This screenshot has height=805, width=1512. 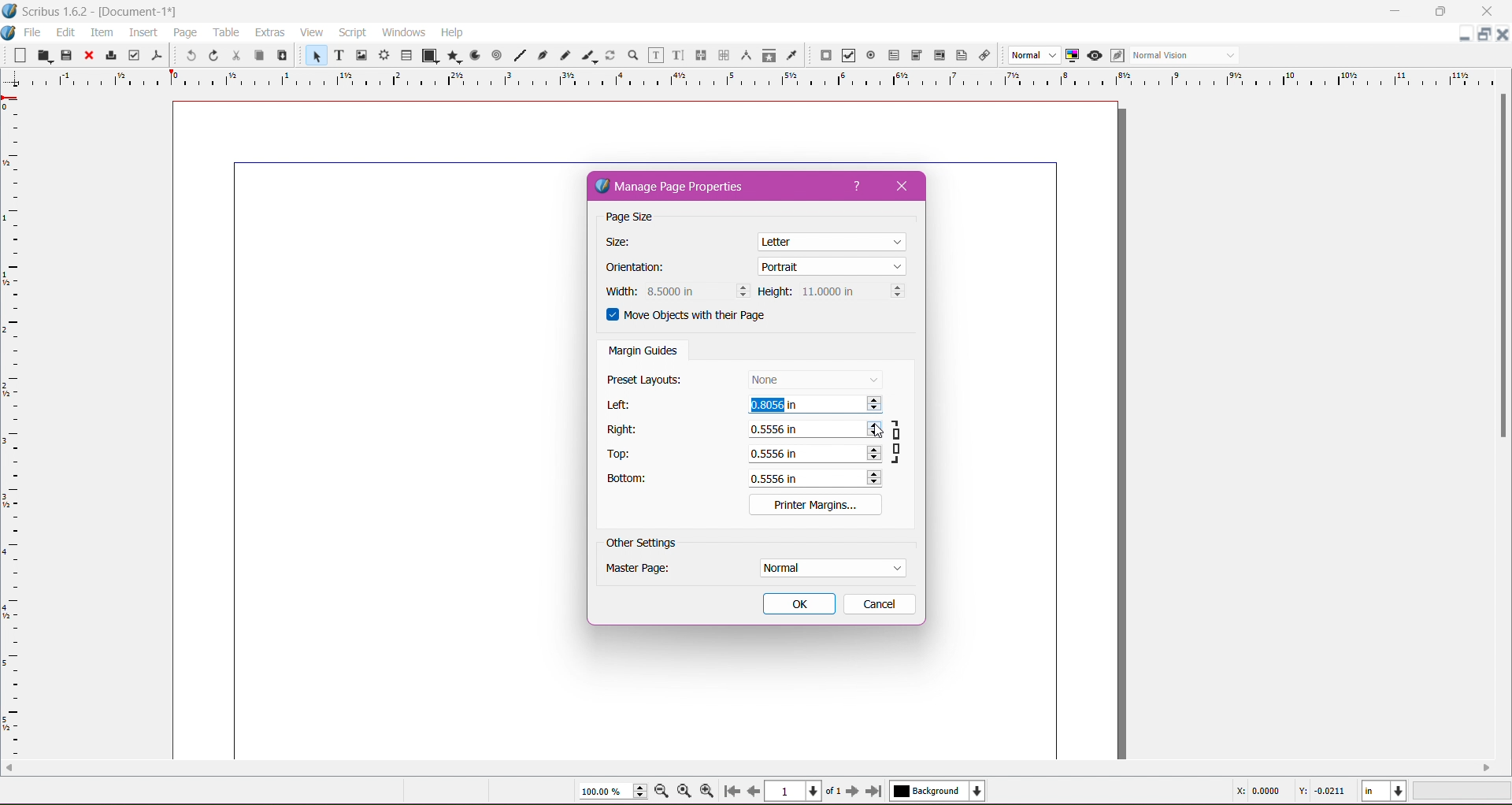 I want to click on Set left margin, so click(x=815, y=406).